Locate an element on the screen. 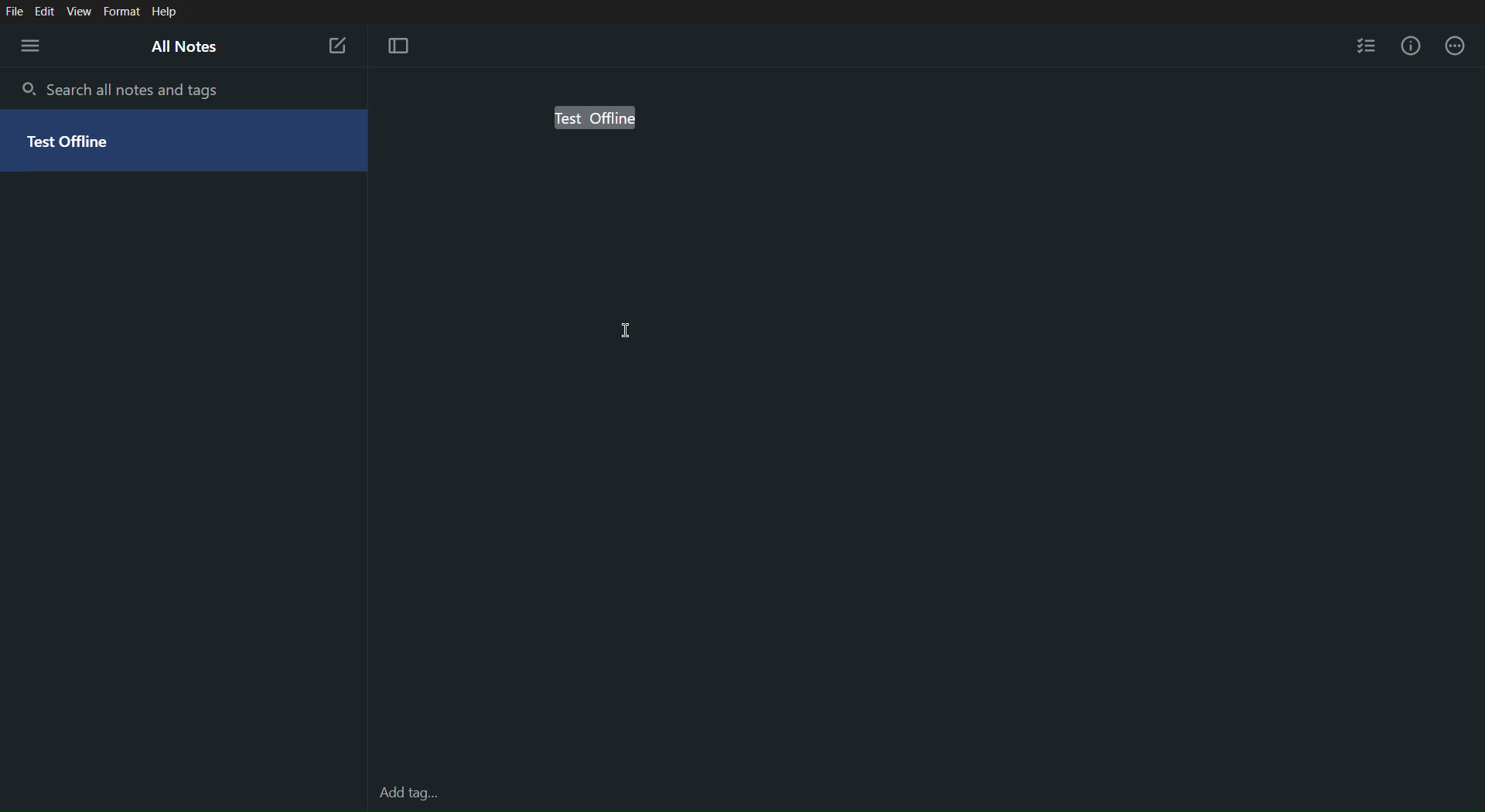 Image resolution: width=1485 pixels, height=812 pixels. File is located at coordinates (15, 9).